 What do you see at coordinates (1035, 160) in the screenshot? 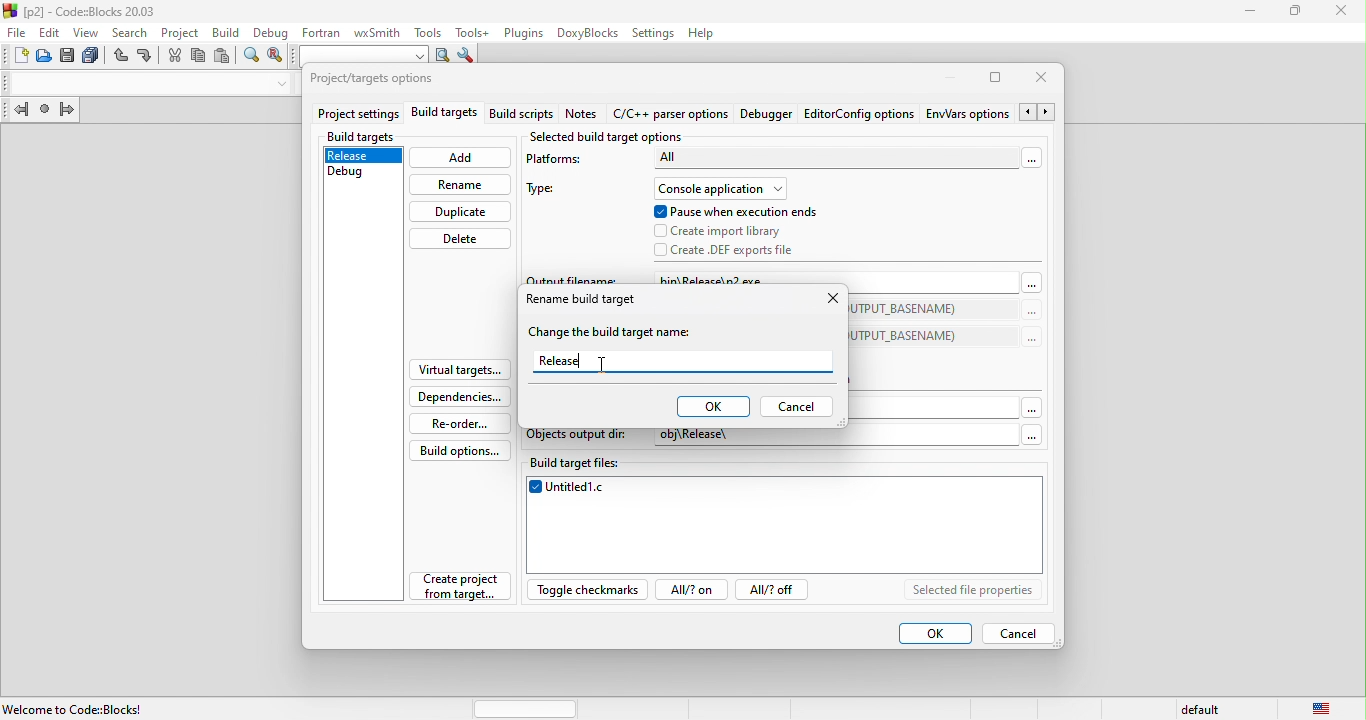
I see `more` at bounding box center [1035, 160].